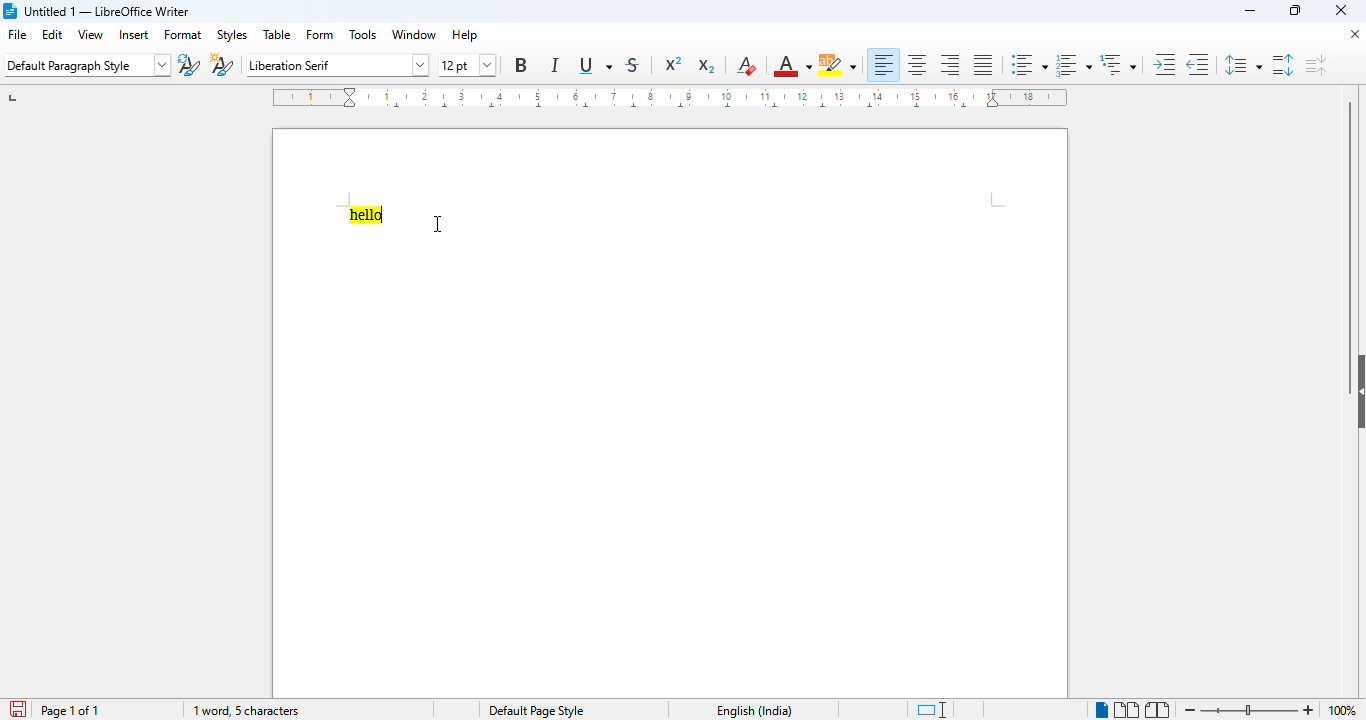 The image size is (1366, 720). Describe the element at coordinates (81, 66) in the screenshot. I see `Default Paragraph Style` at that location.